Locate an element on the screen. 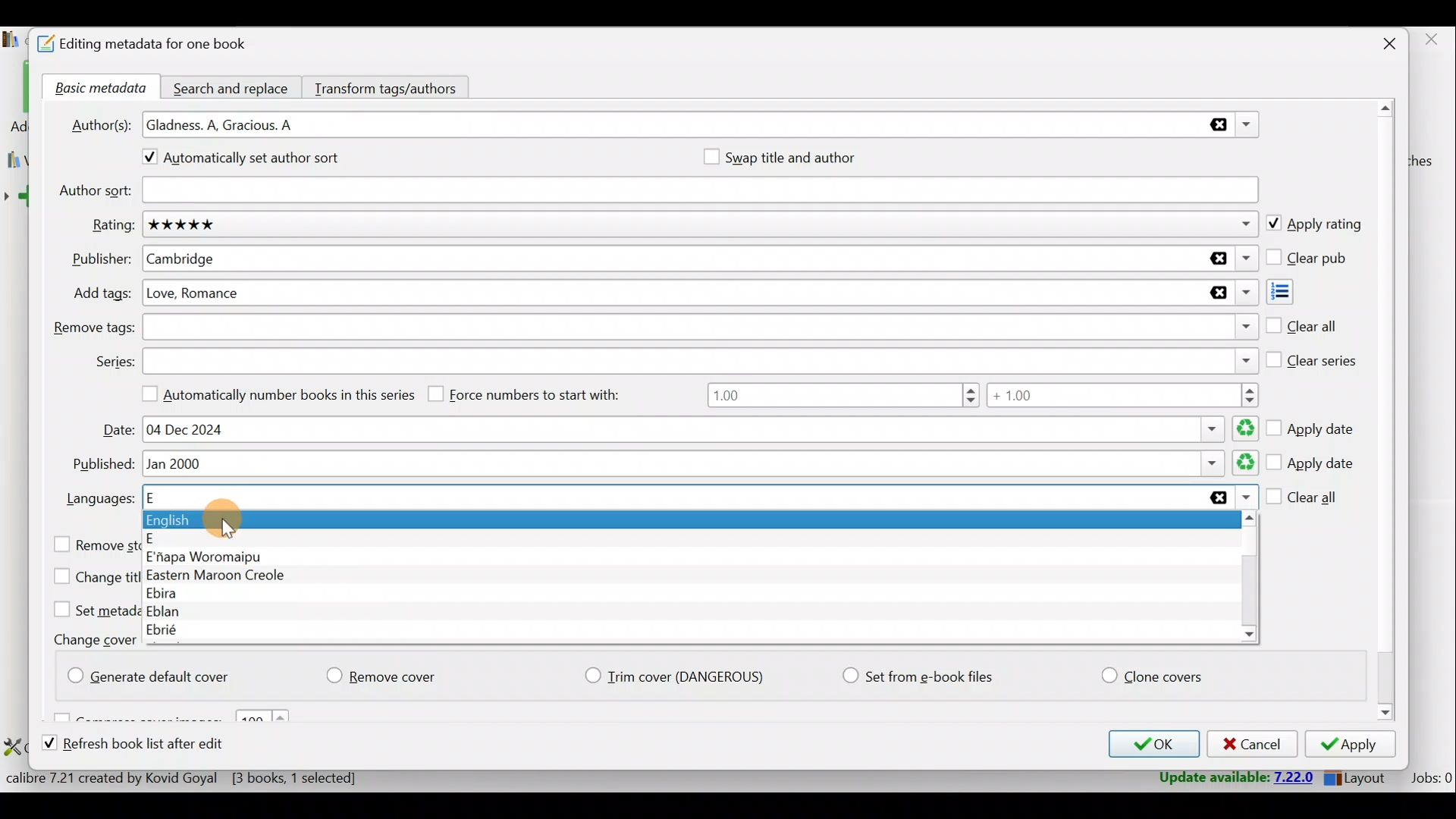 The height and width of the screenshot is (819, 1456). Apply date is located at coordinates (1313, 424).